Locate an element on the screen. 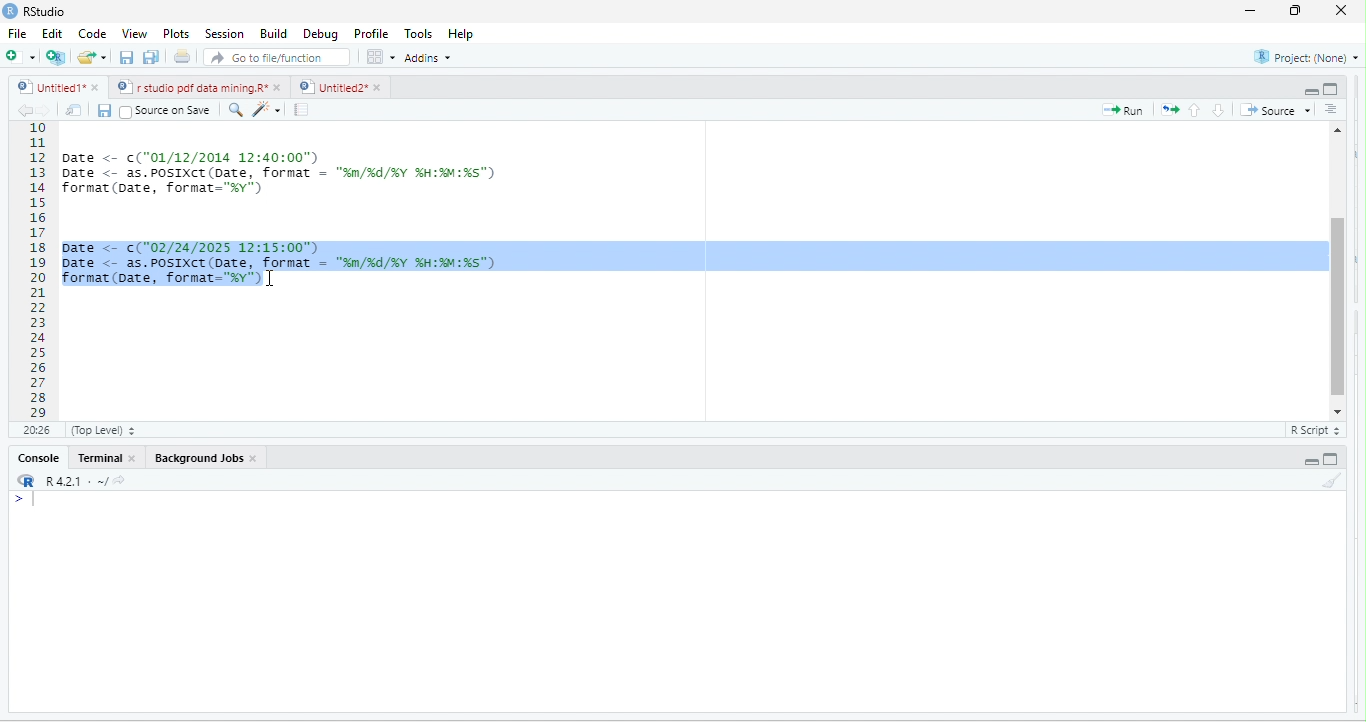 This screenshot has height=722, width=1366. option is located at coordinates (379, 56).